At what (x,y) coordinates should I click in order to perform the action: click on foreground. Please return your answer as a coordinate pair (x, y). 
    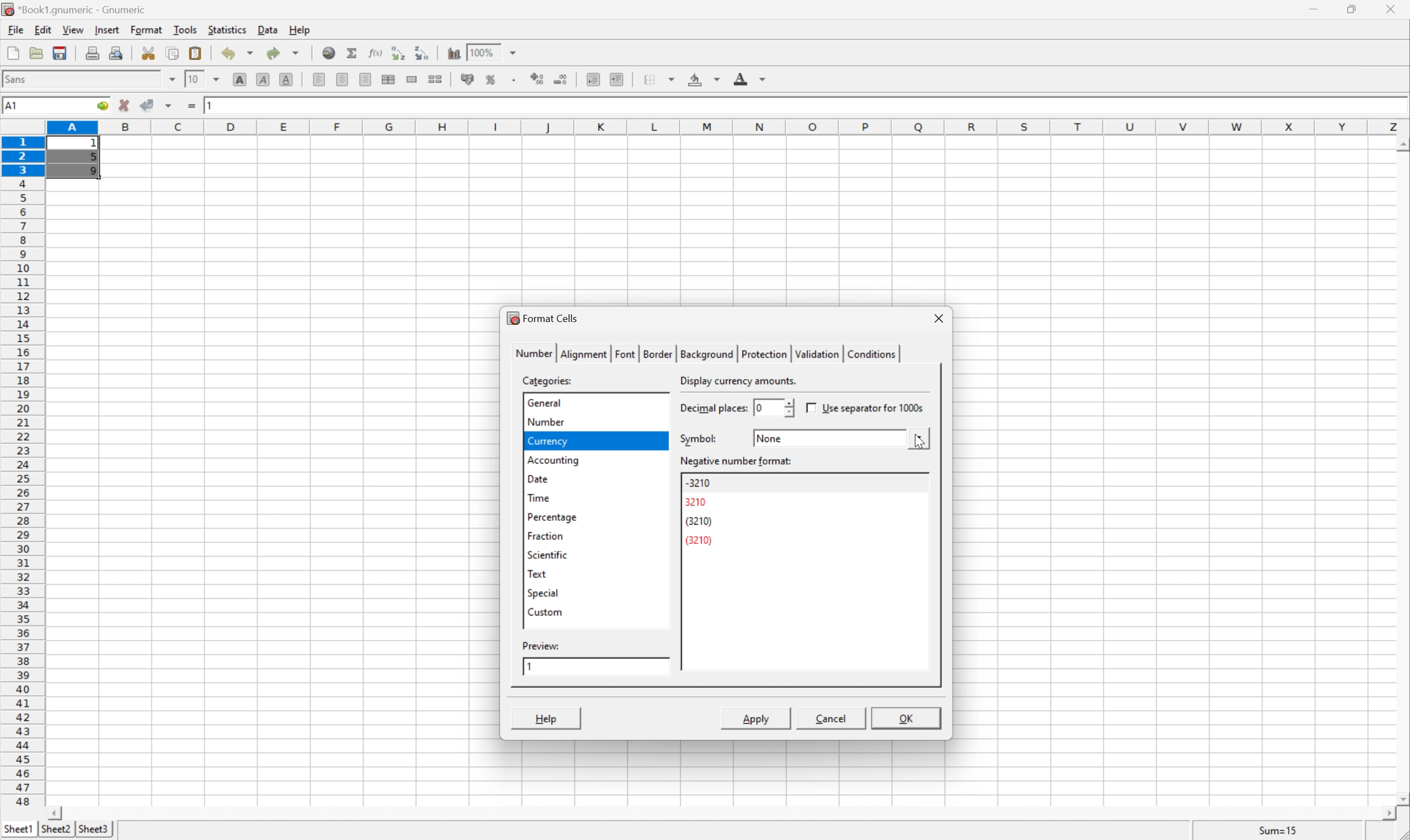
    Looking at the image, I should click on (748, 77).